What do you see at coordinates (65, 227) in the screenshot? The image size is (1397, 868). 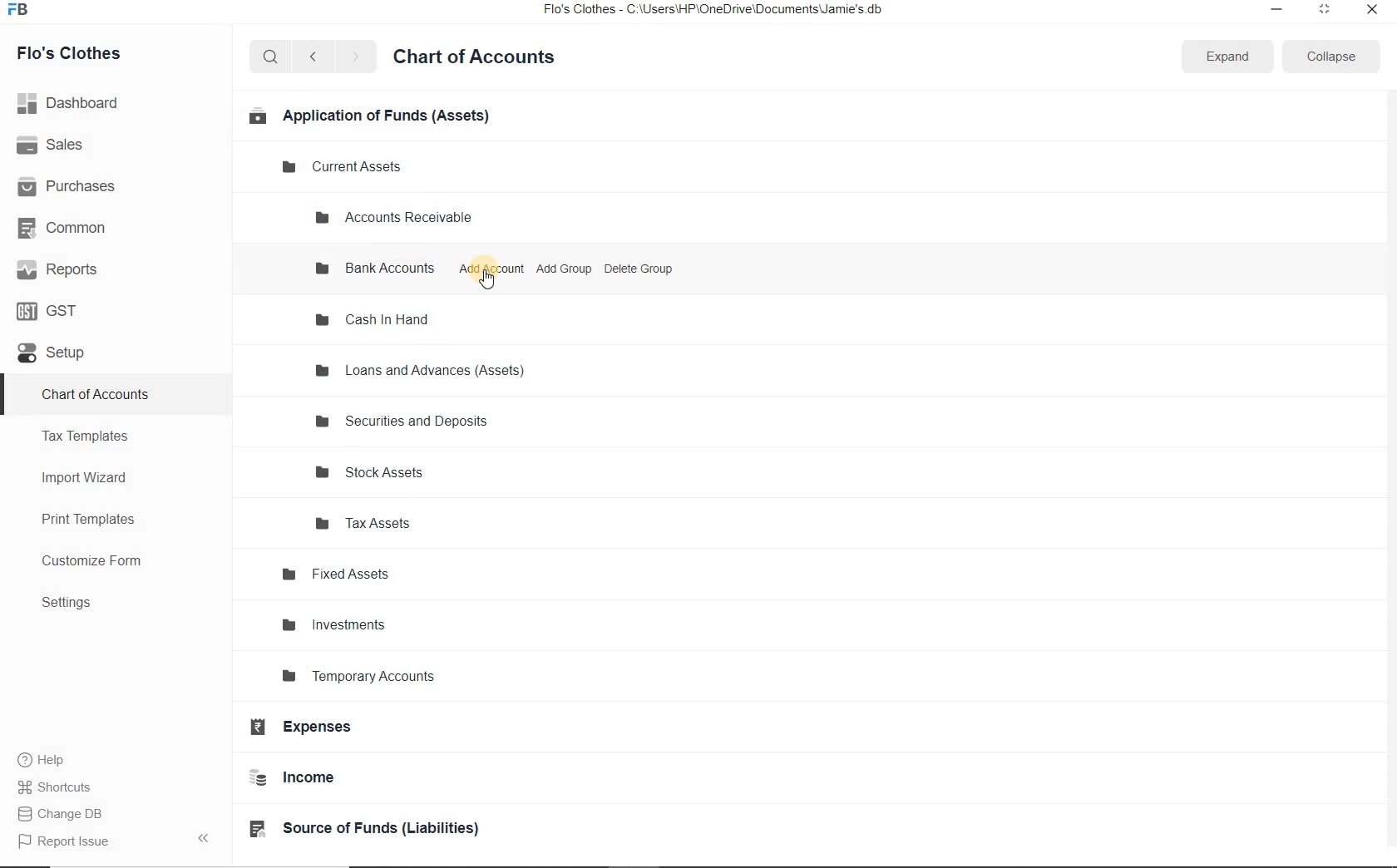 I see `Common` at bounding box center [65, 227].